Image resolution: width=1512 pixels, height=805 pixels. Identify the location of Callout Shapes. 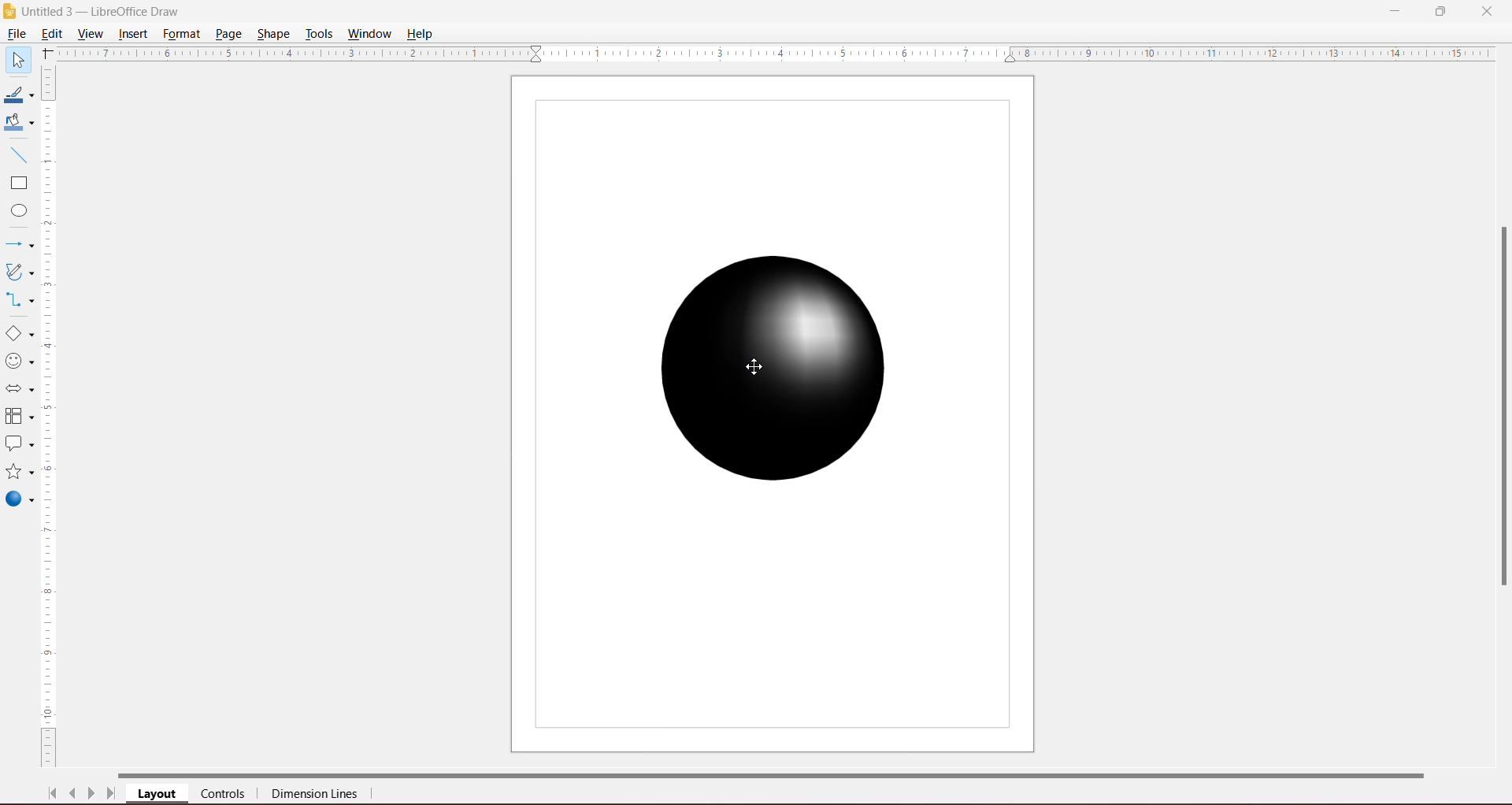
(18, 445).